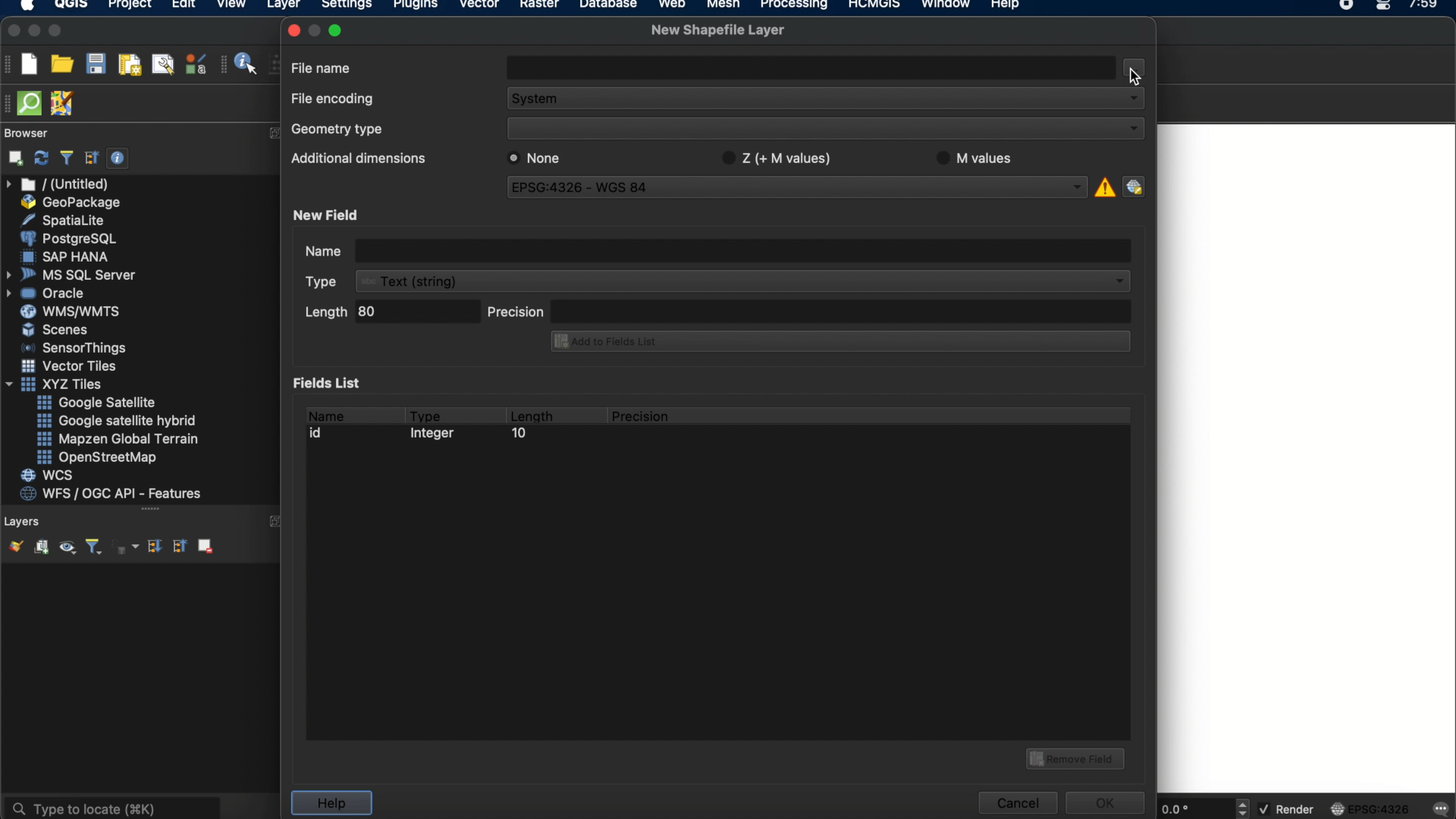 The height and width of the screenshot is (819, 1456). What do you see at coordinates (284, 8) in the screenshot?
I see `layer` at bounding box center [284, 8].